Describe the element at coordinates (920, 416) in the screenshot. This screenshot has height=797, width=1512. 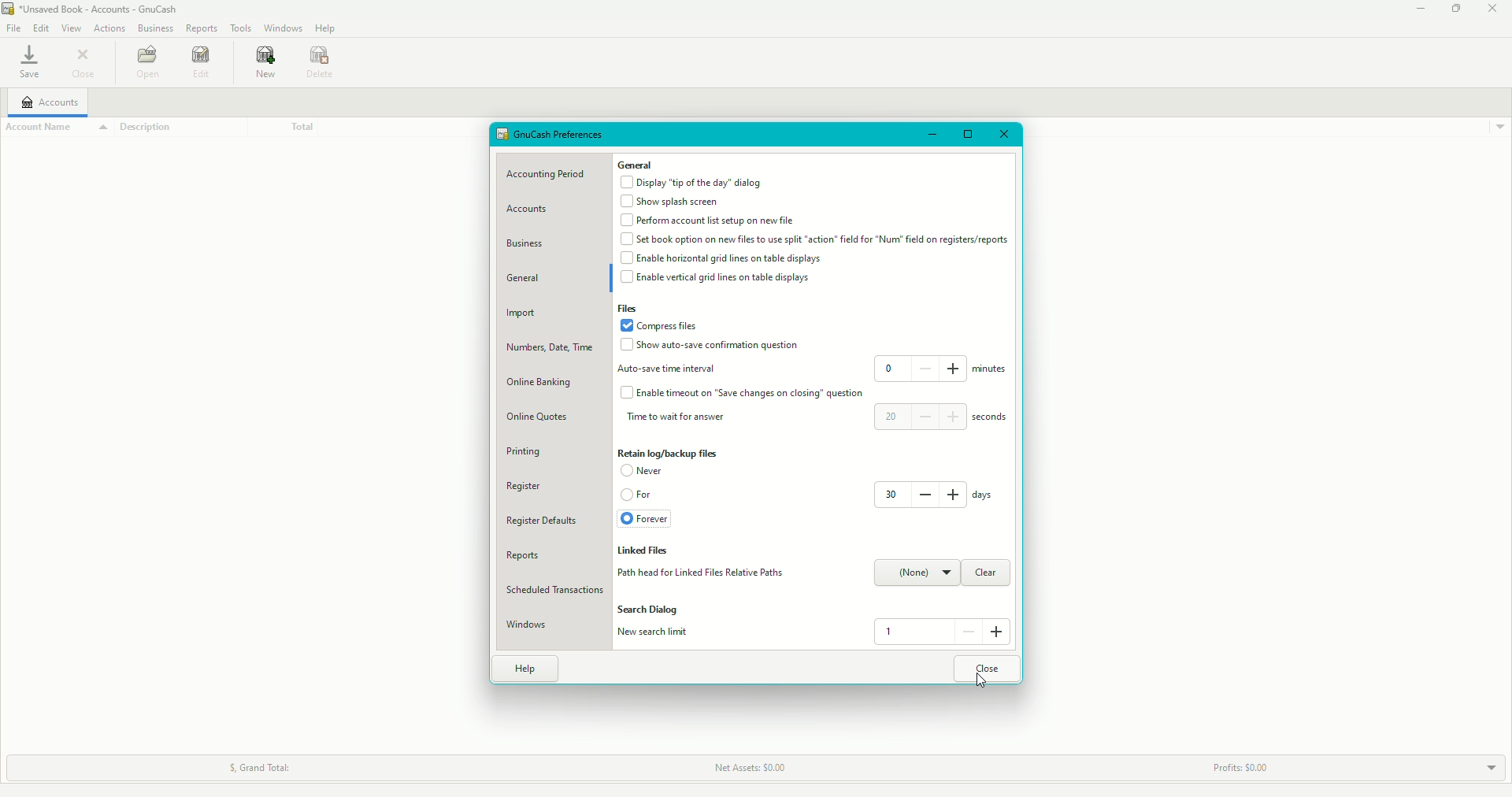
I see `20` at that location.